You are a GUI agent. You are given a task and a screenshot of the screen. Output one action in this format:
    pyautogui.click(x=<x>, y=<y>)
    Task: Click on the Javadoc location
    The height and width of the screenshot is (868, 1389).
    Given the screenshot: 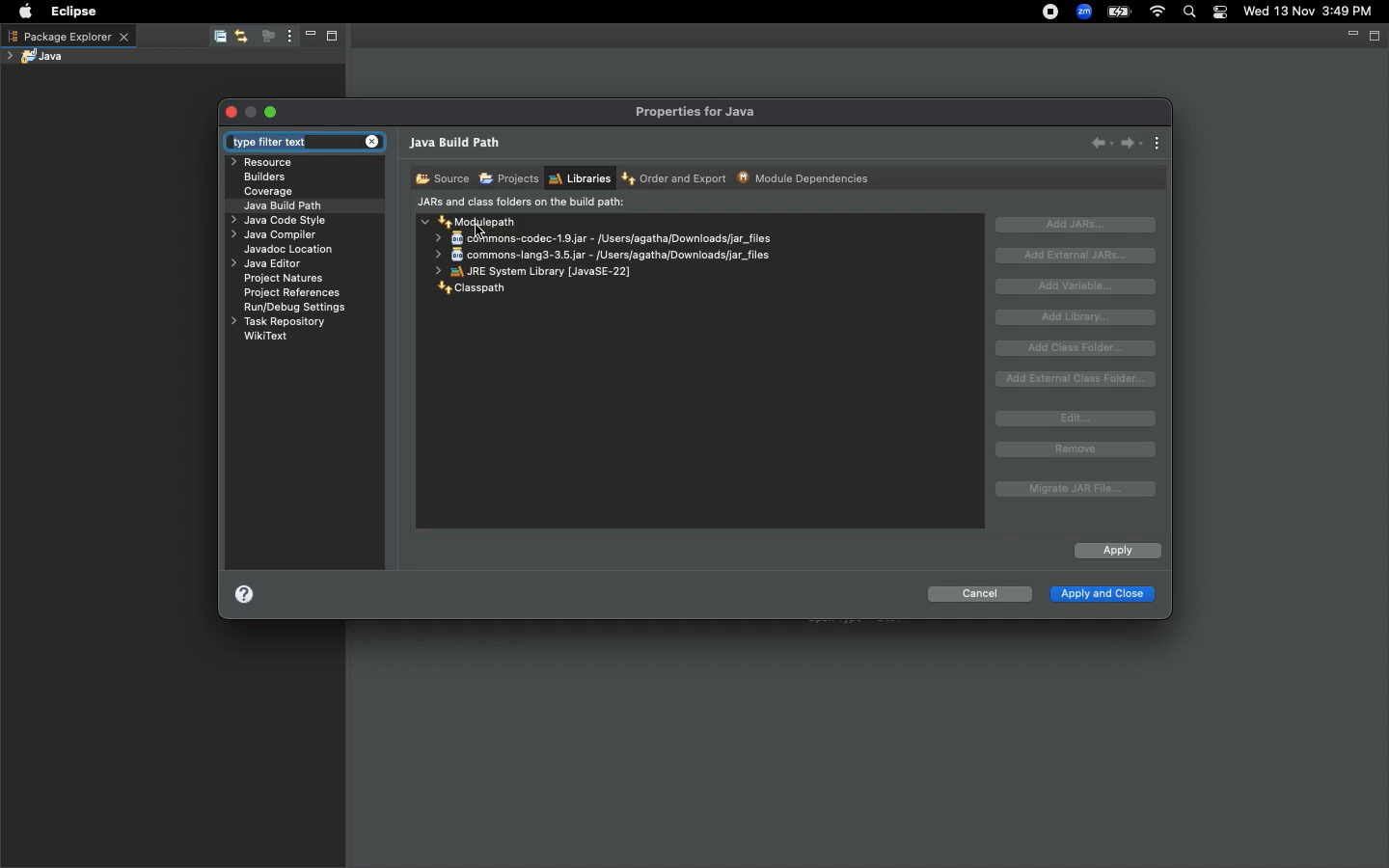 What is the action you would take?
    pyautogui.click(x=290, y=251)
    